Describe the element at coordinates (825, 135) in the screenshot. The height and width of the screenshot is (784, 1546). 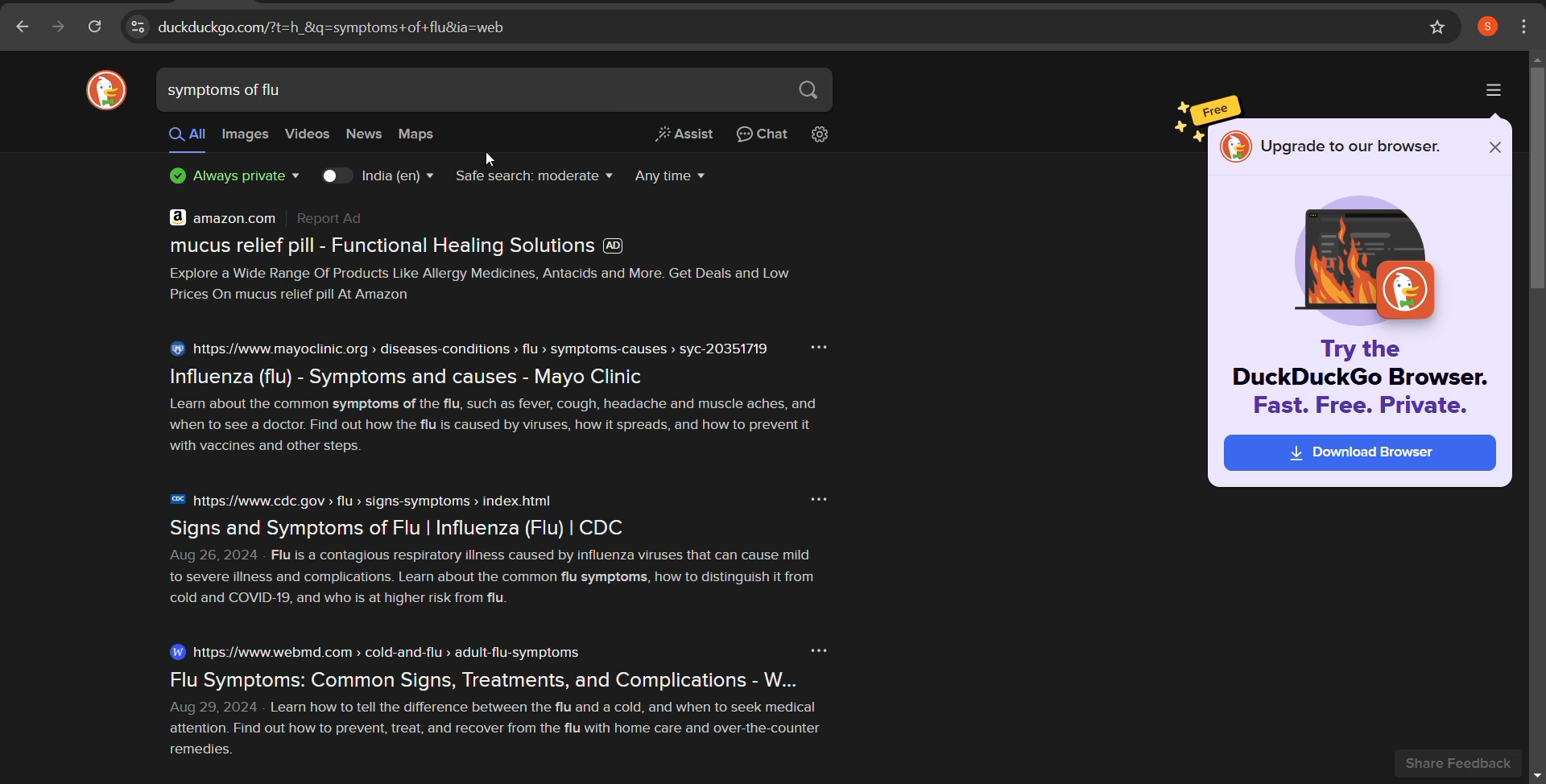
I see `change the search settings` at that location.